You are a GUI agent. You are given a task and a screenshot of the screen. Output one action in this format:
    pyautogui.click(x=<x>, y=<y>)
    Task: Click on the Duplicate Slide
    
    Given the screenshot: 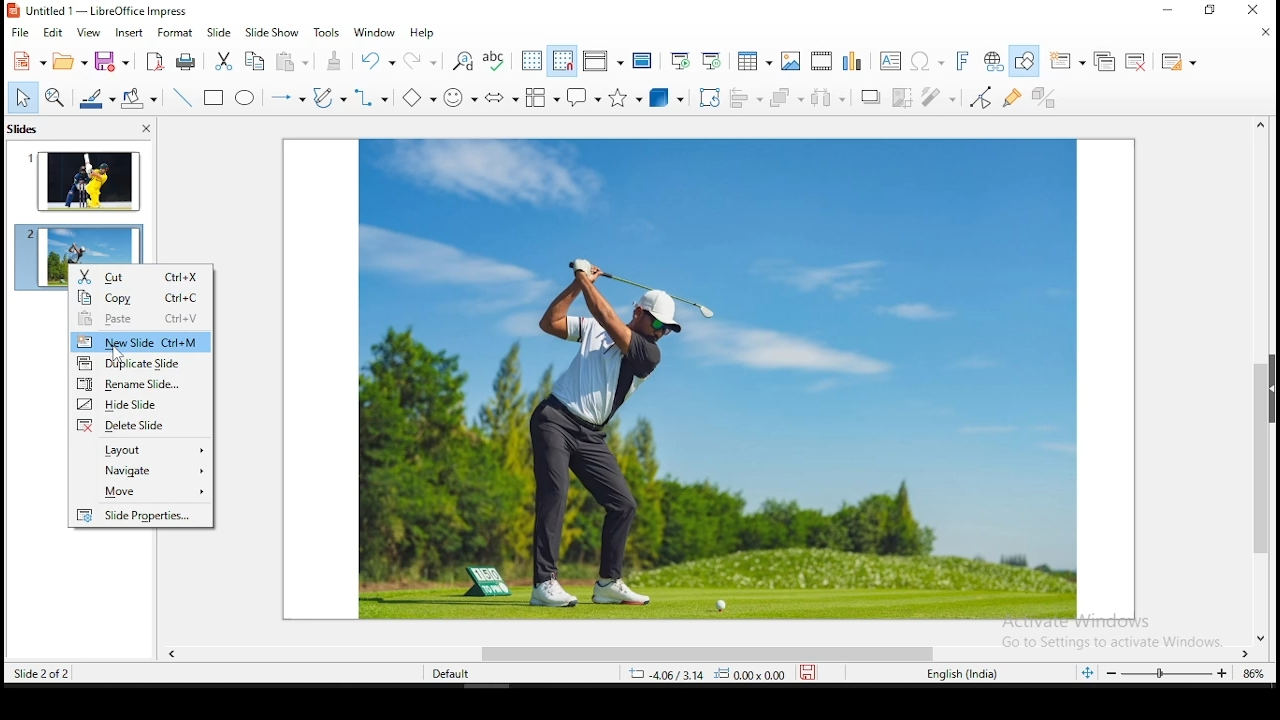 What is the action you would take?
    pyautogui.click(x=141, y=364)
    